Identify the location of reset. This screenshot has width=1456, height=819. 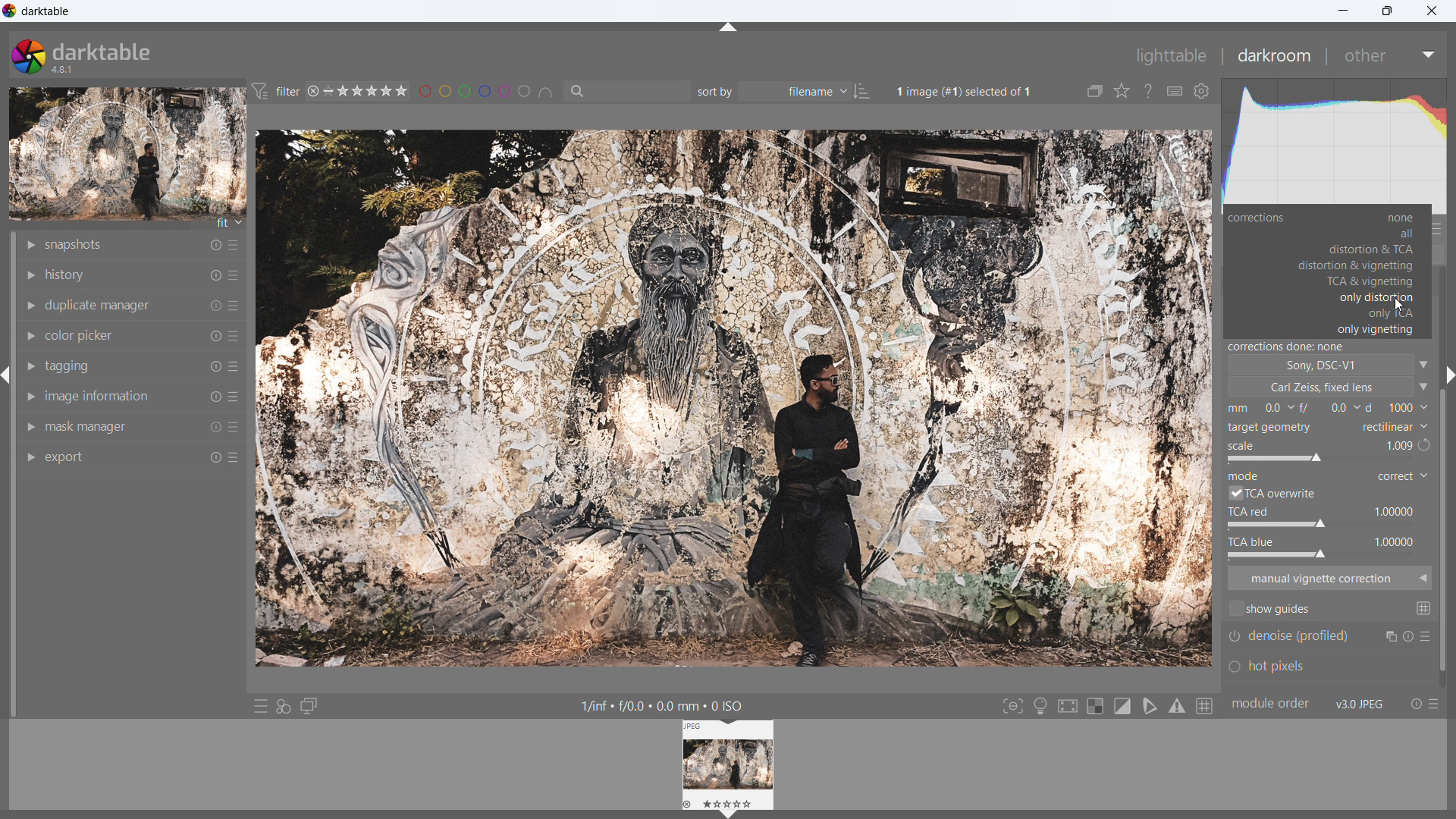
(215, 429).